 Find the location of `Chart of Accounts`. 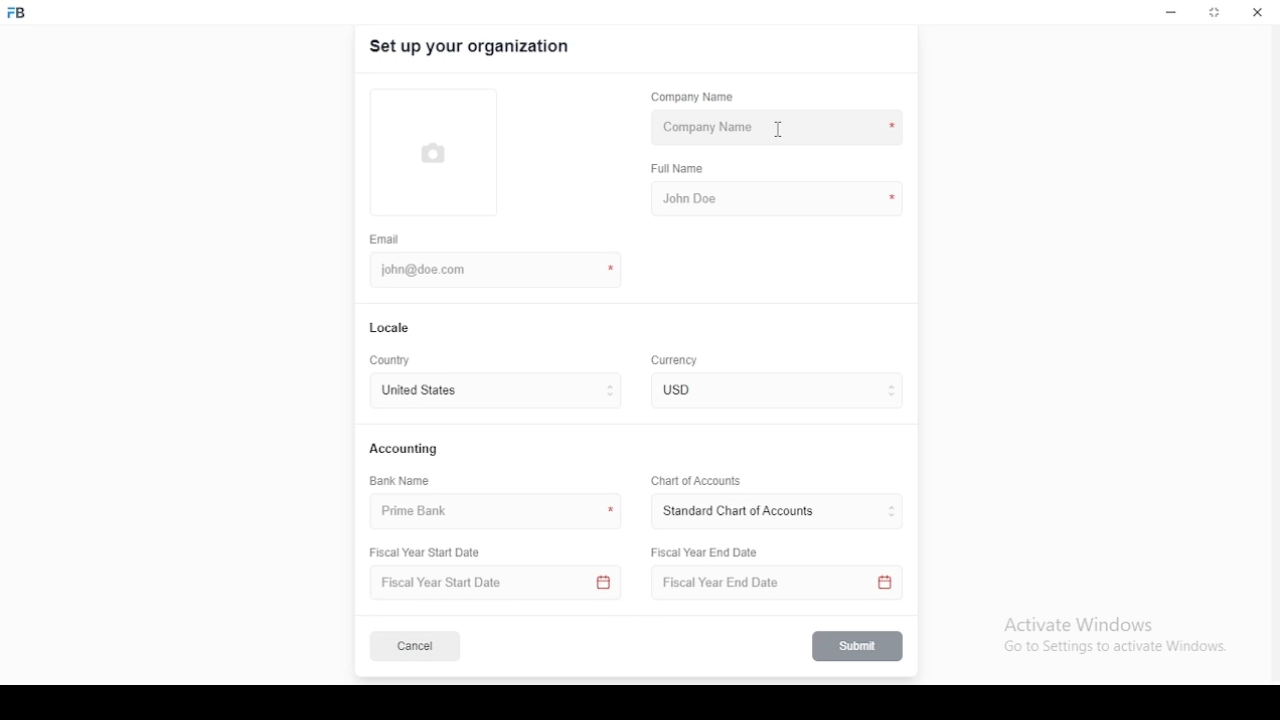

Chart of Accounts is located at coordinates (693, 480).